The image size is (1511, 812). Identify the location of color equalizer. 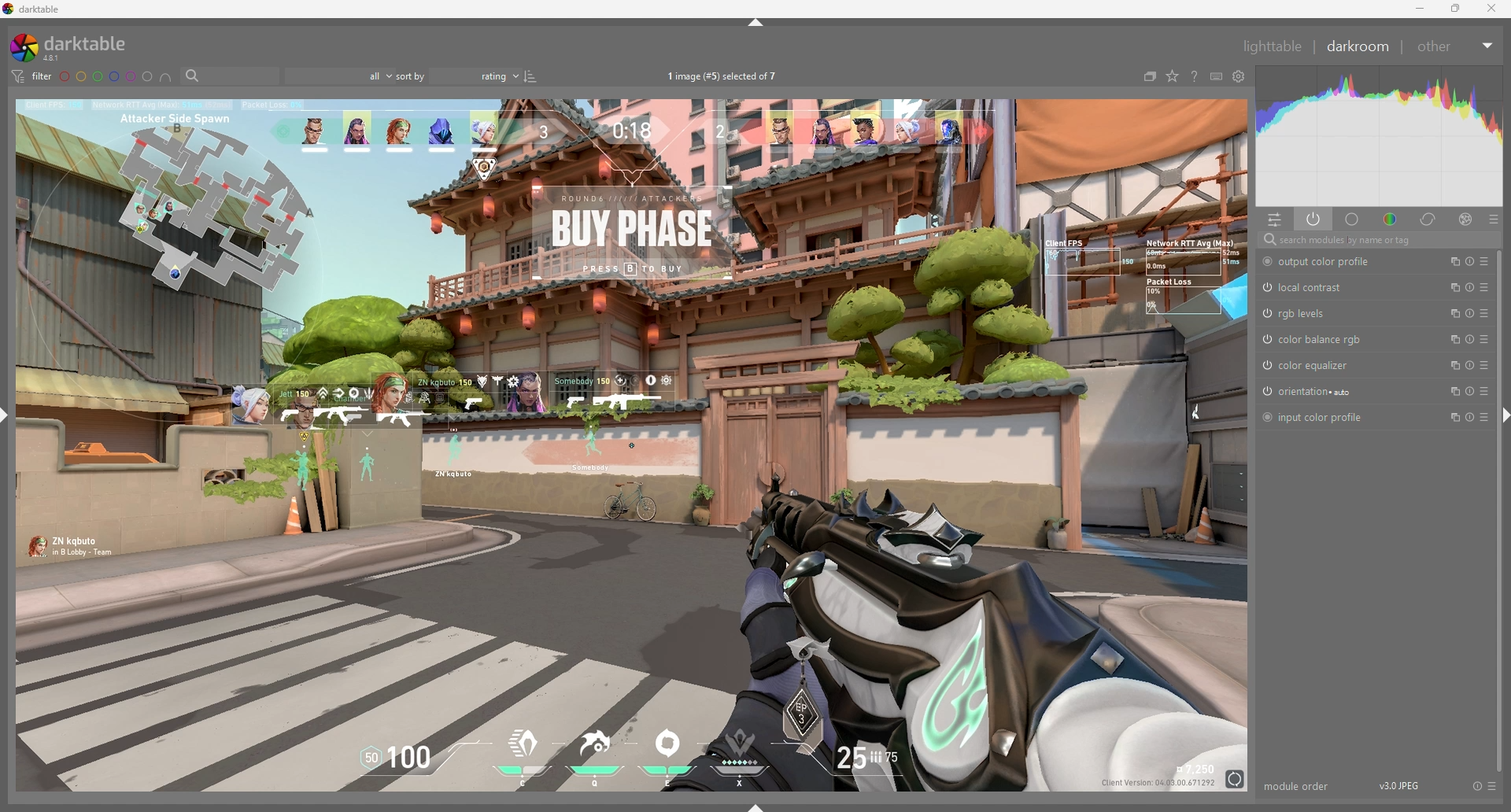
(1309, 365).